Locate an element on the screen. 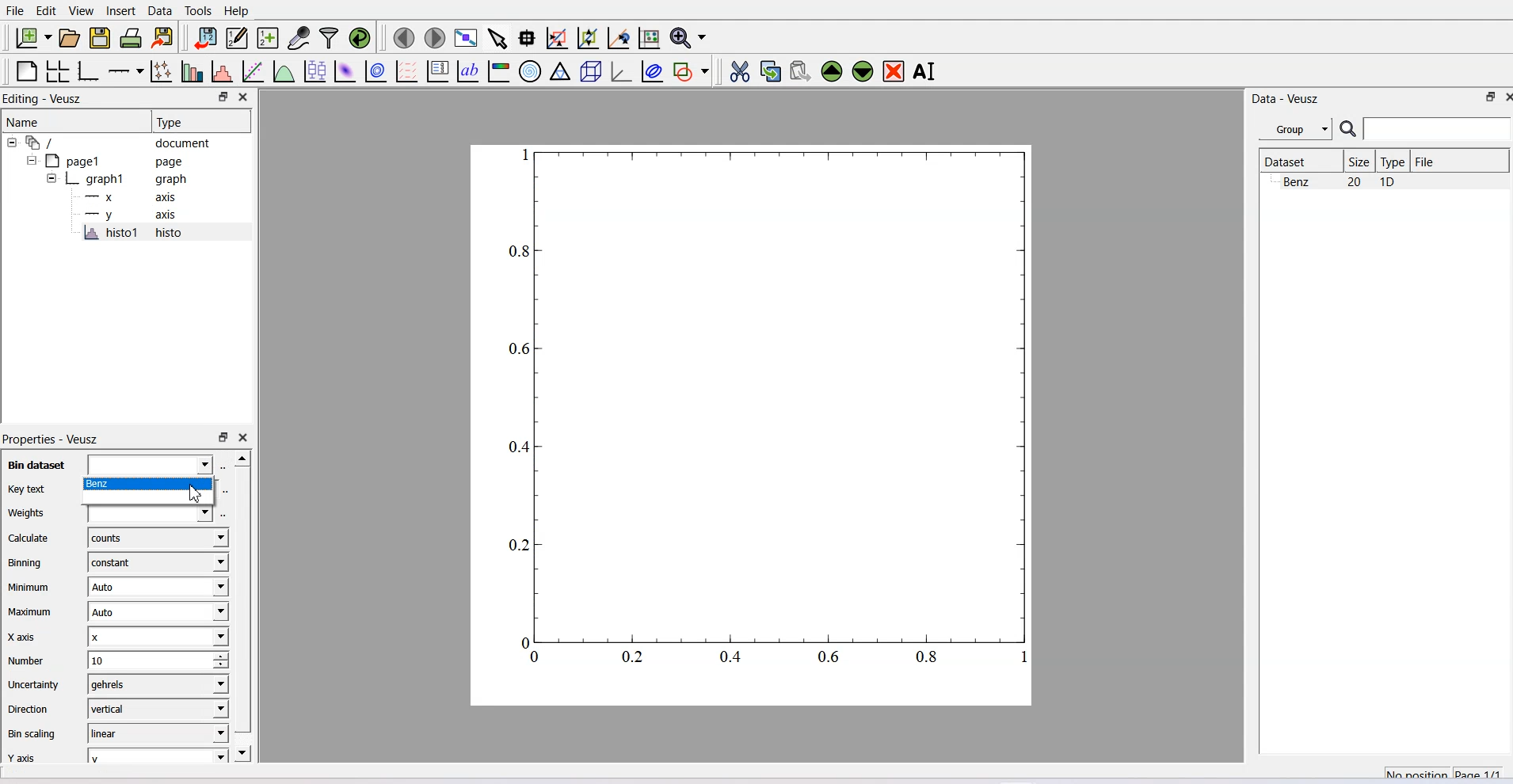 This screenshot has height=784, width=1513. Fit function to data is located at coordinates (253, 70).